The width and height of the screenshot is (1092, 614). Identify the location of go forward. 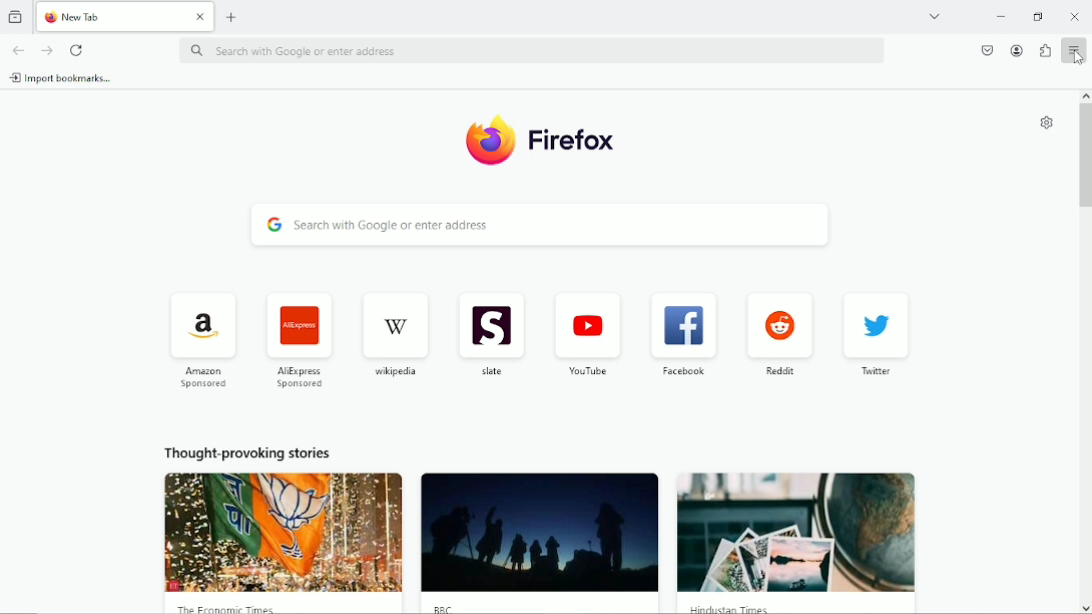
(47, 50).